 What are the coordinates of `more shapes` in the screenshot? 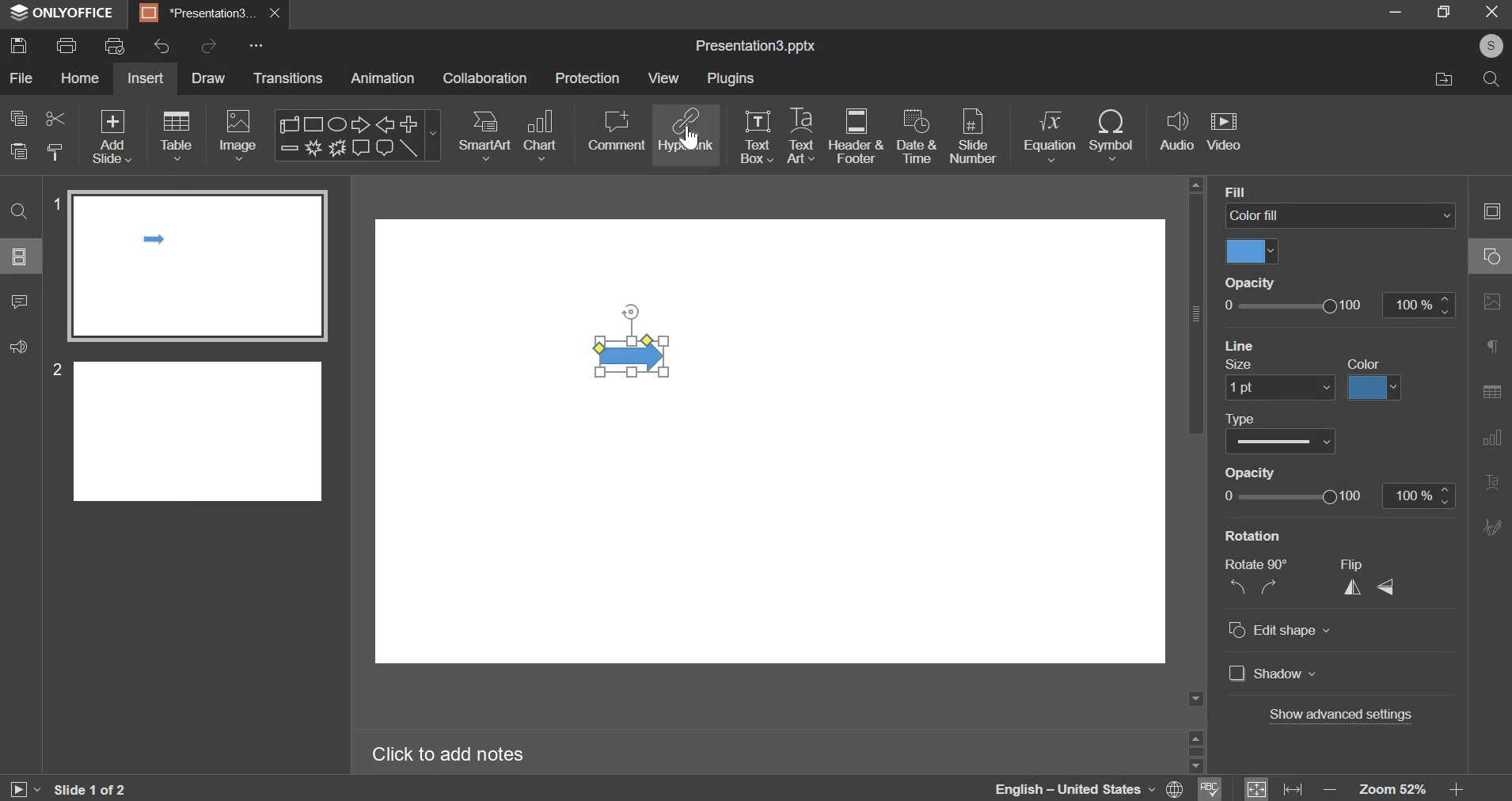 It's located at (435, 138).